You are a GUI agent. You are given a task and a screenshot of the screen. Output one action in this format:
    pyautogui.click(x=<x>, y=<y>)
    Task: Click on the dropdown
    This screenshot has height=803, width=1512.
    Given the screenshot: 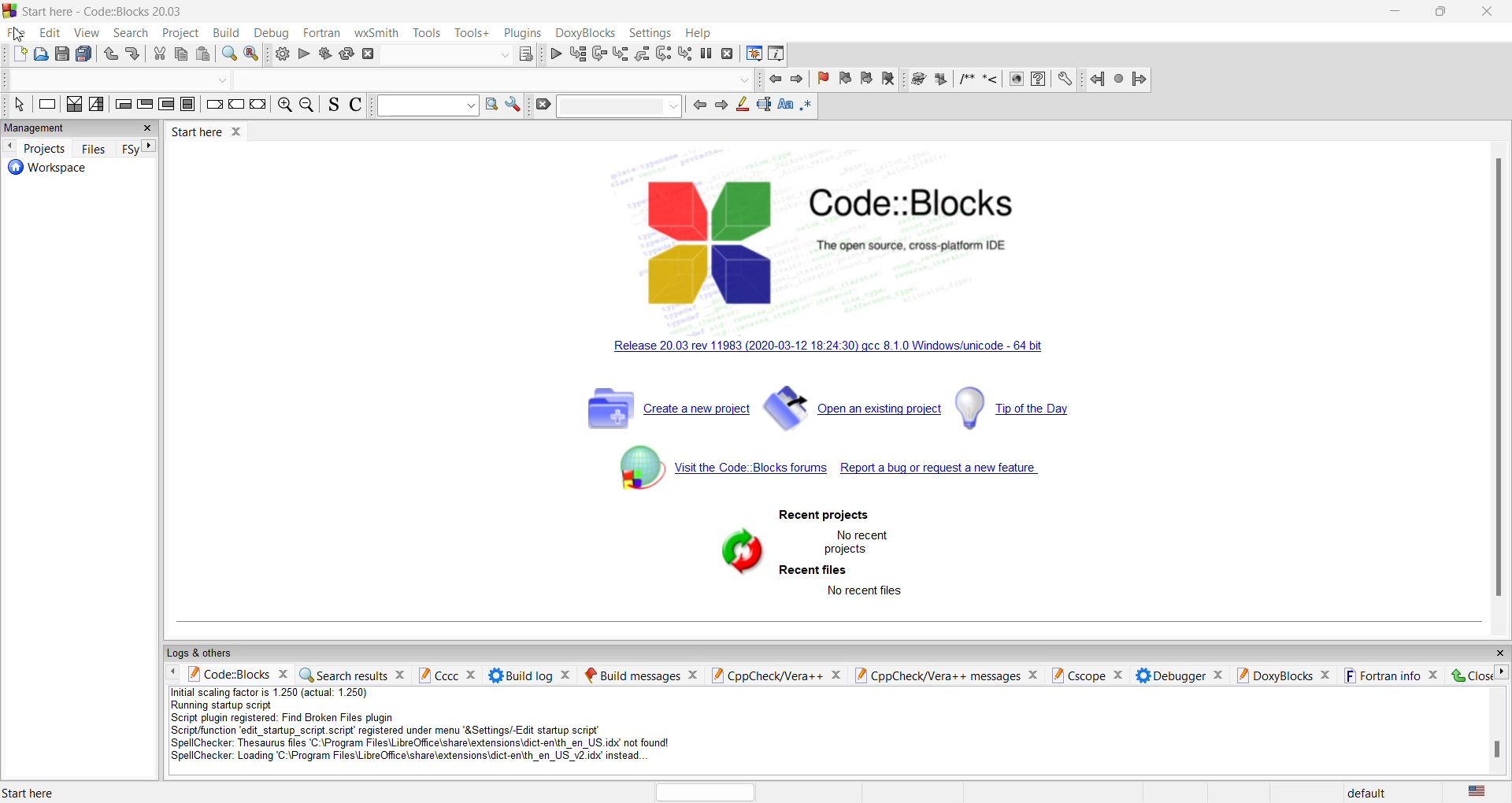 What is the action you would take?
    pyautogui.click(x=502, y=55)
    